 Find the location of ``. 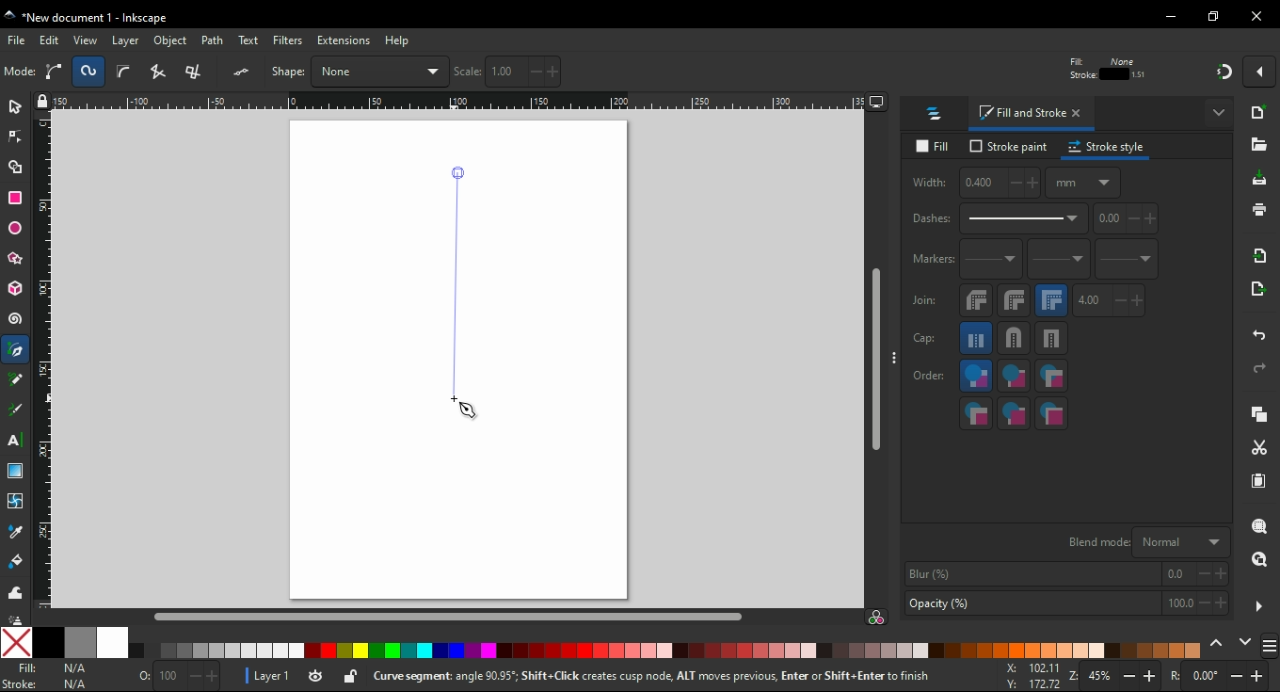

 is located at coordinates (1108, 299).